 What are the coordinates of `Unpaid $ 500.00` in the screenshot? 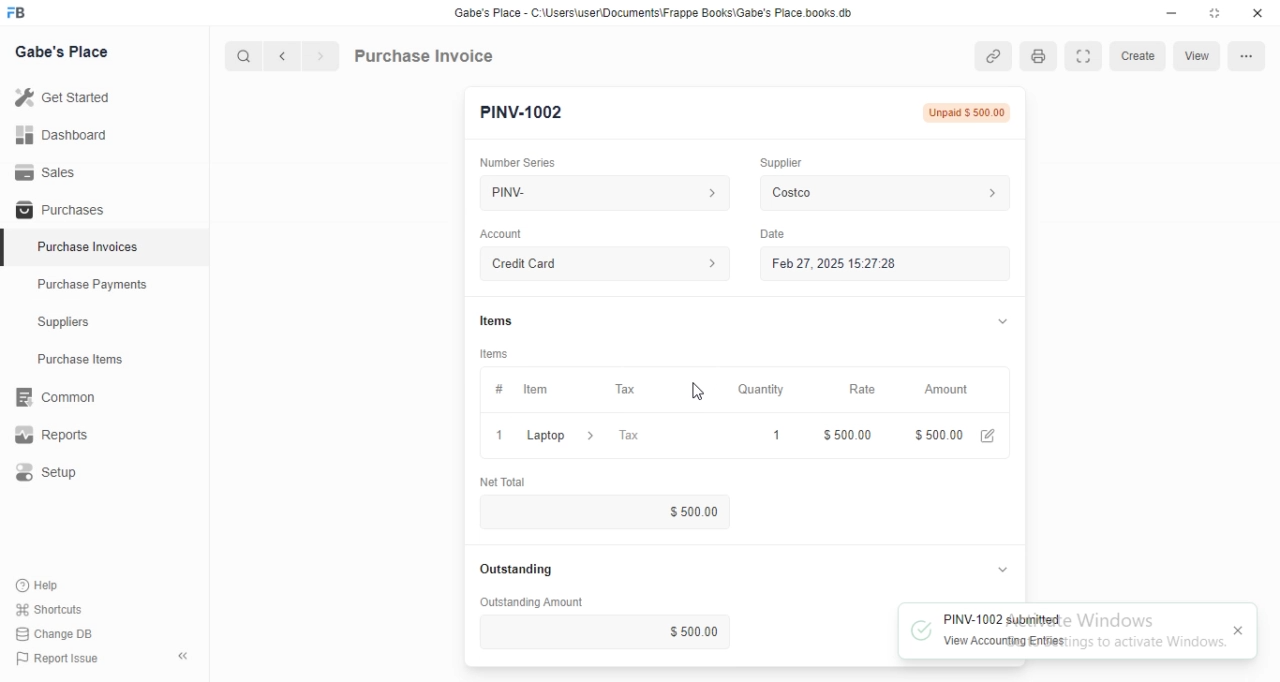 It's located at (966, 113).